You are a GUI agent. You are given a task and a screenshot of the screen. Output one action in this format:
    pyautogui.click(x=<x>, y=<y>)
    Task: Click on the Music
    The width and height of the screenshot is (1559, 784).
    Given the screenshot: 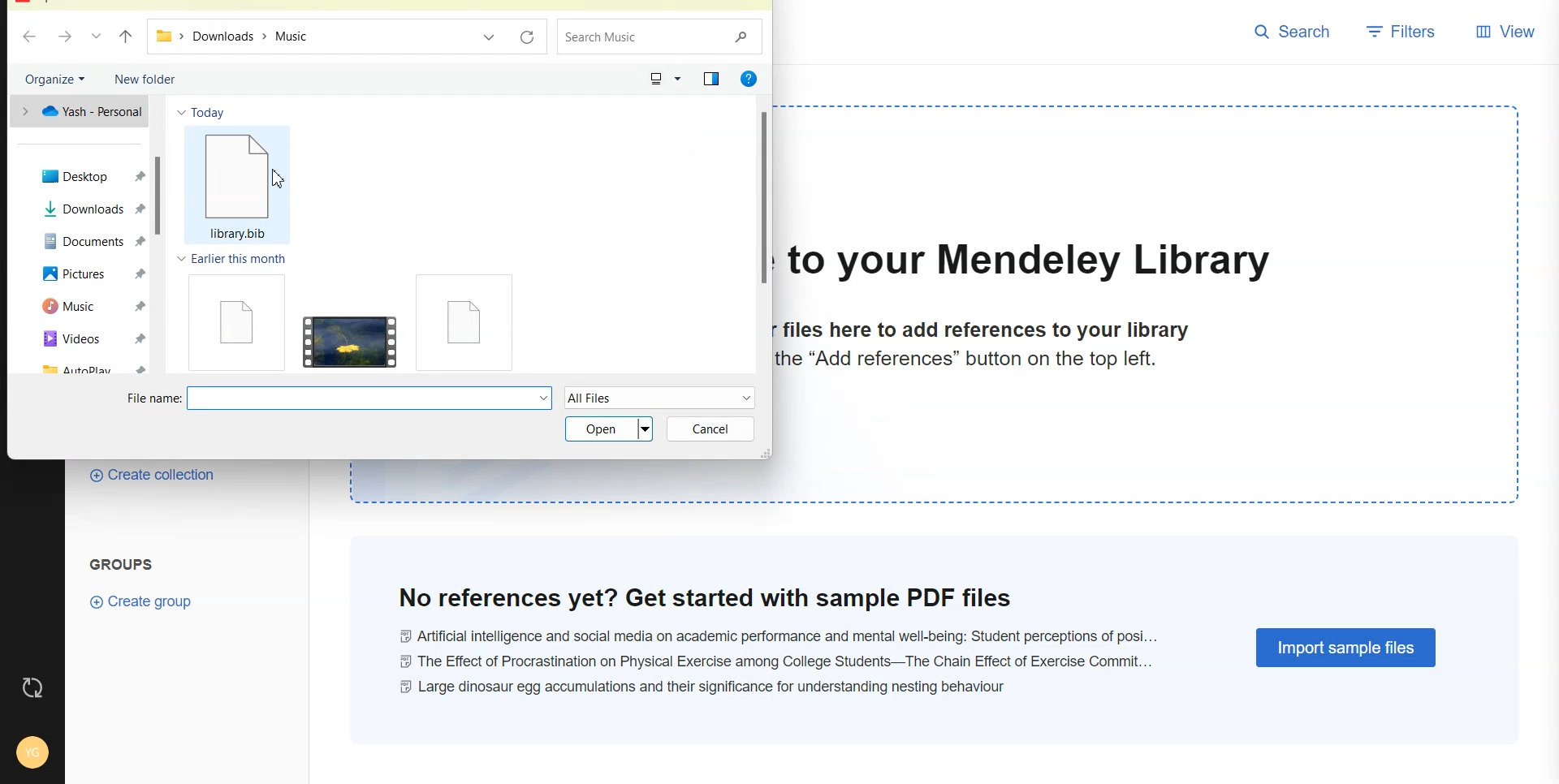 What is the action you would take?
    pyautogui.click(x=80, y=305)
    